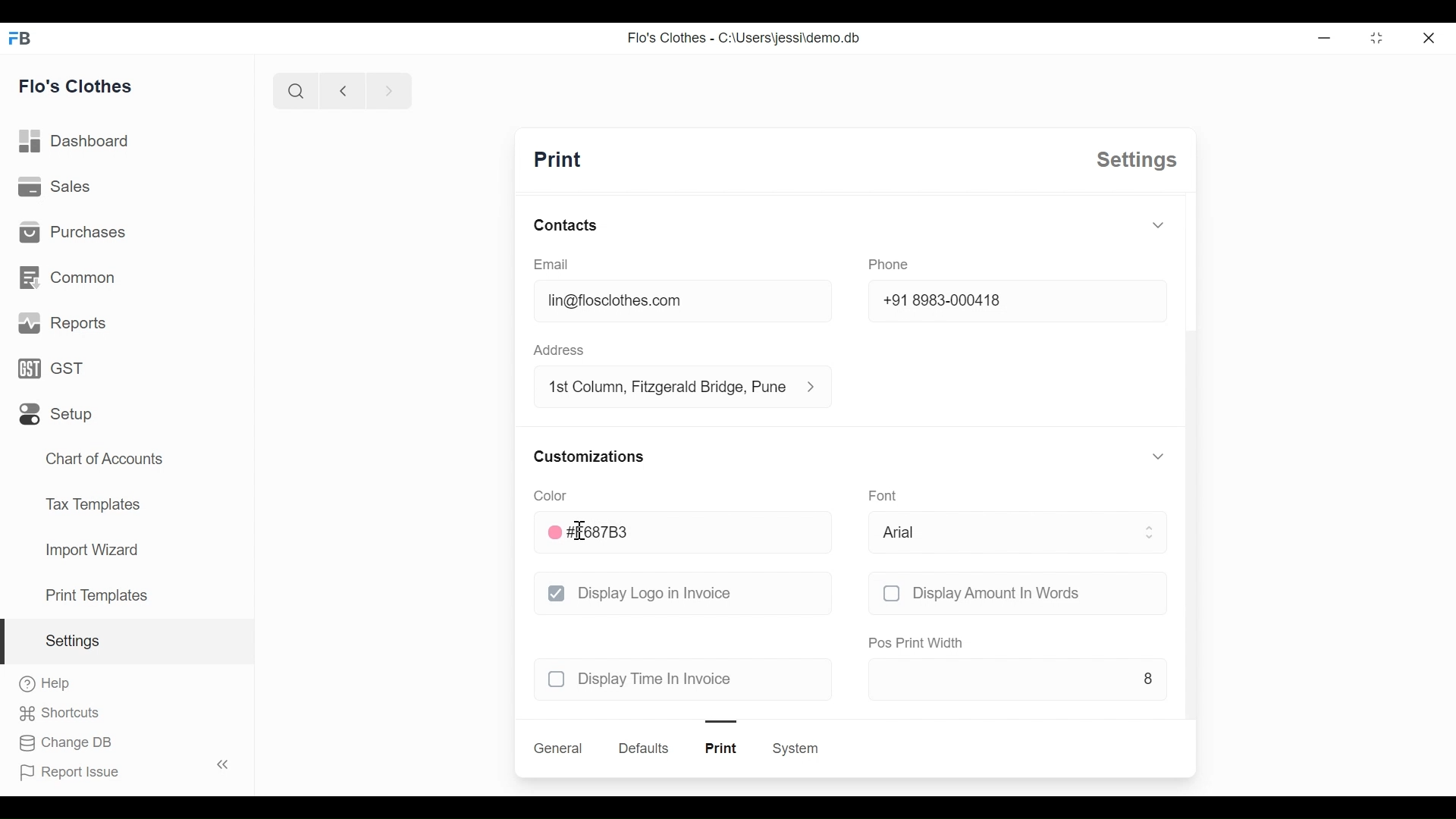 The width and height of the screenshot is (1456, 819). Describe the element at coordinates (55, 185) in the screenshot. I see `sales` at that location.